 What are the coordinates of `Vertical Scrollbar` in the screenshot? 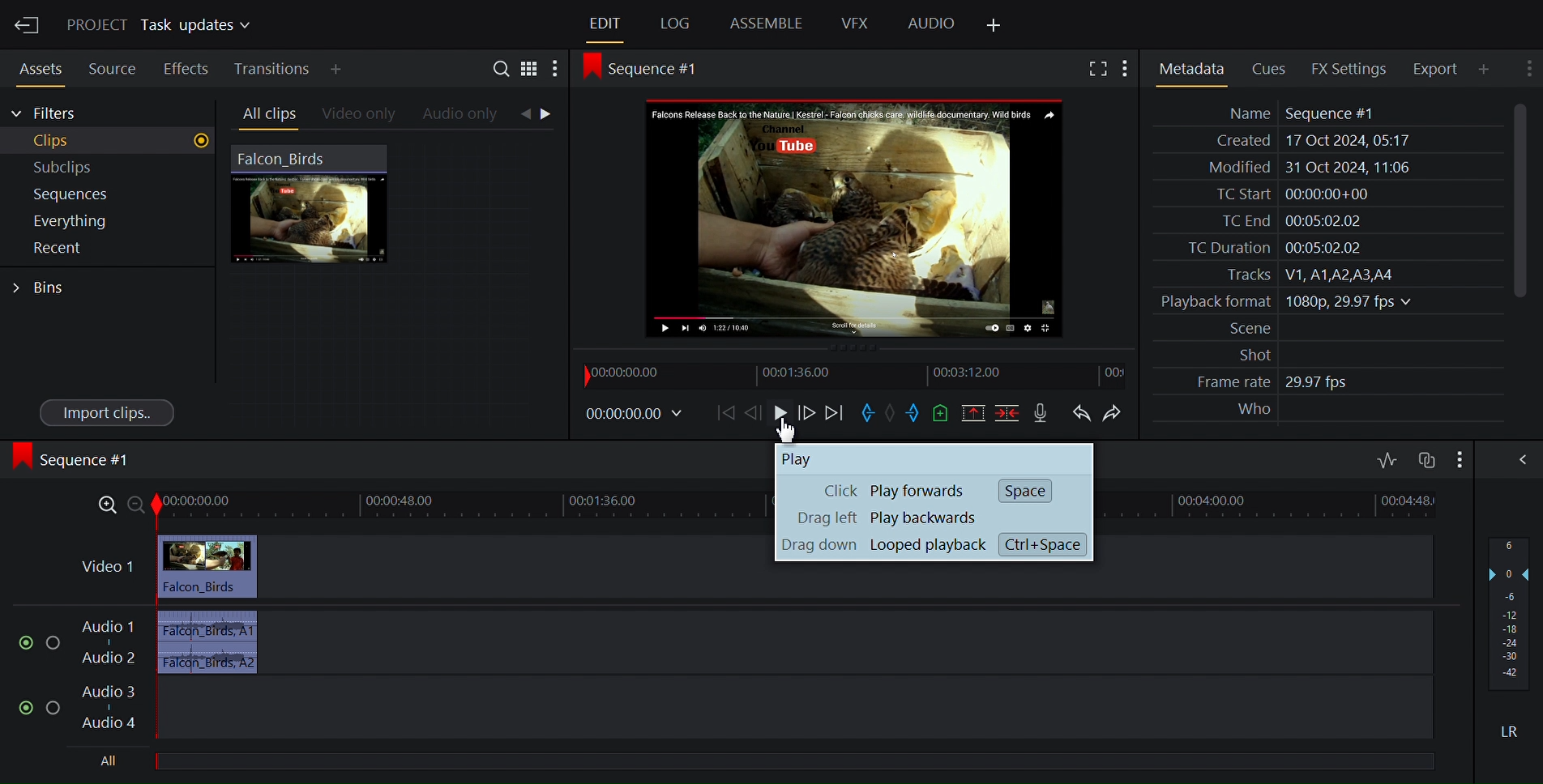 It's located at (1515, 201).